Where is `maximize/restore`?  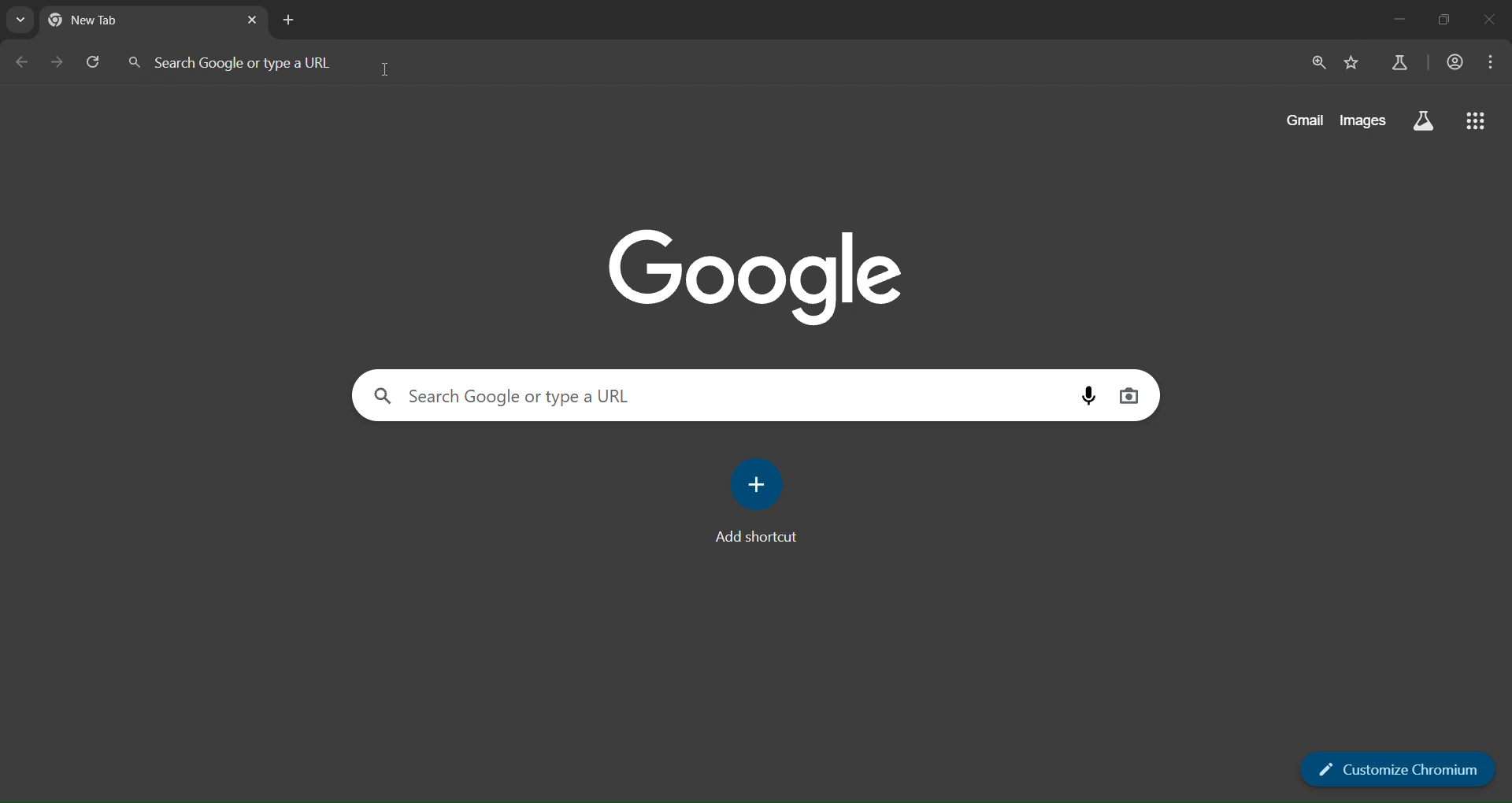 maximize/restore is located at coordinates (1441, 19).